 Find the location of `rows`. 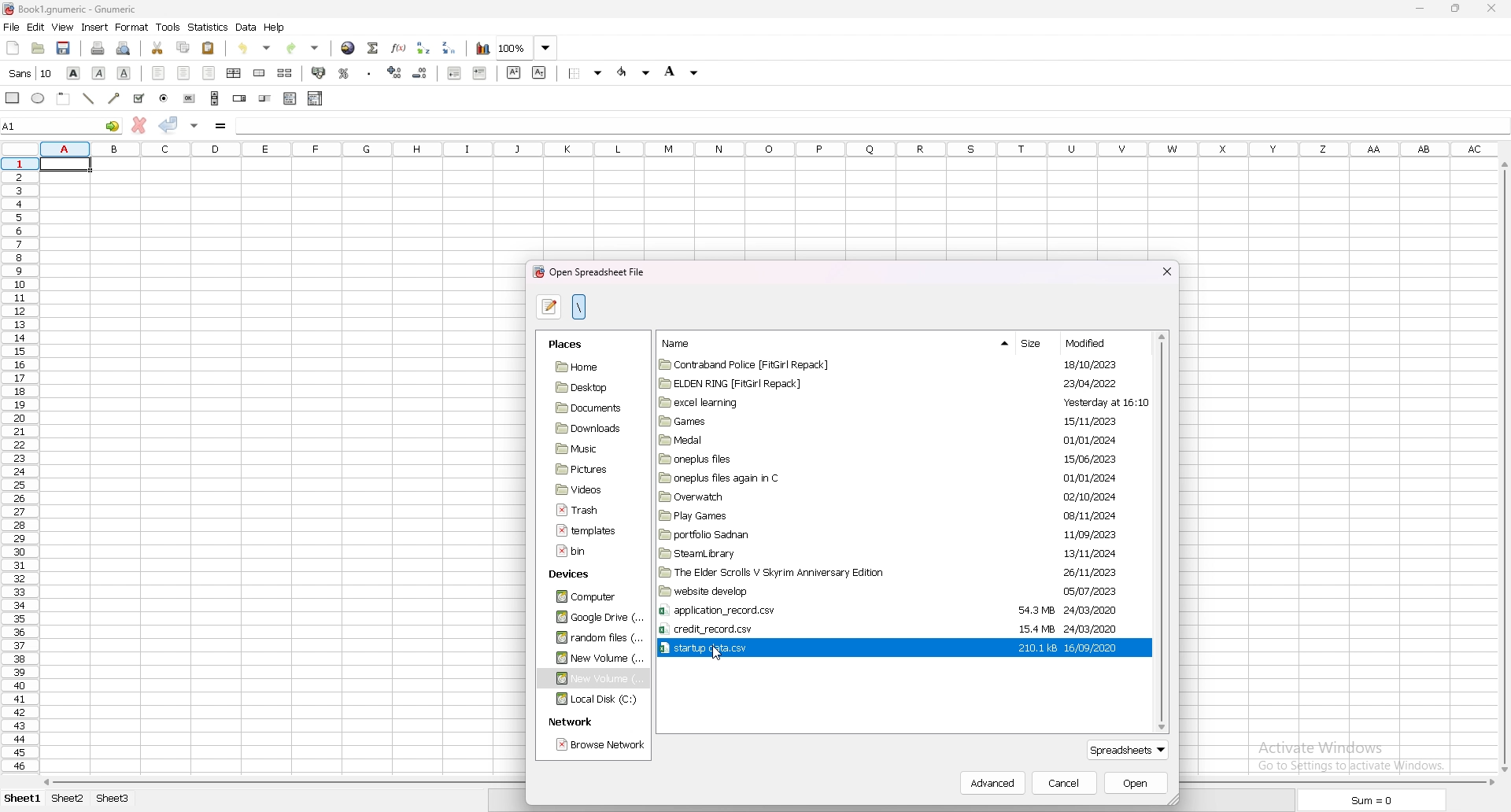

rows is located at coordinates (20, 467).